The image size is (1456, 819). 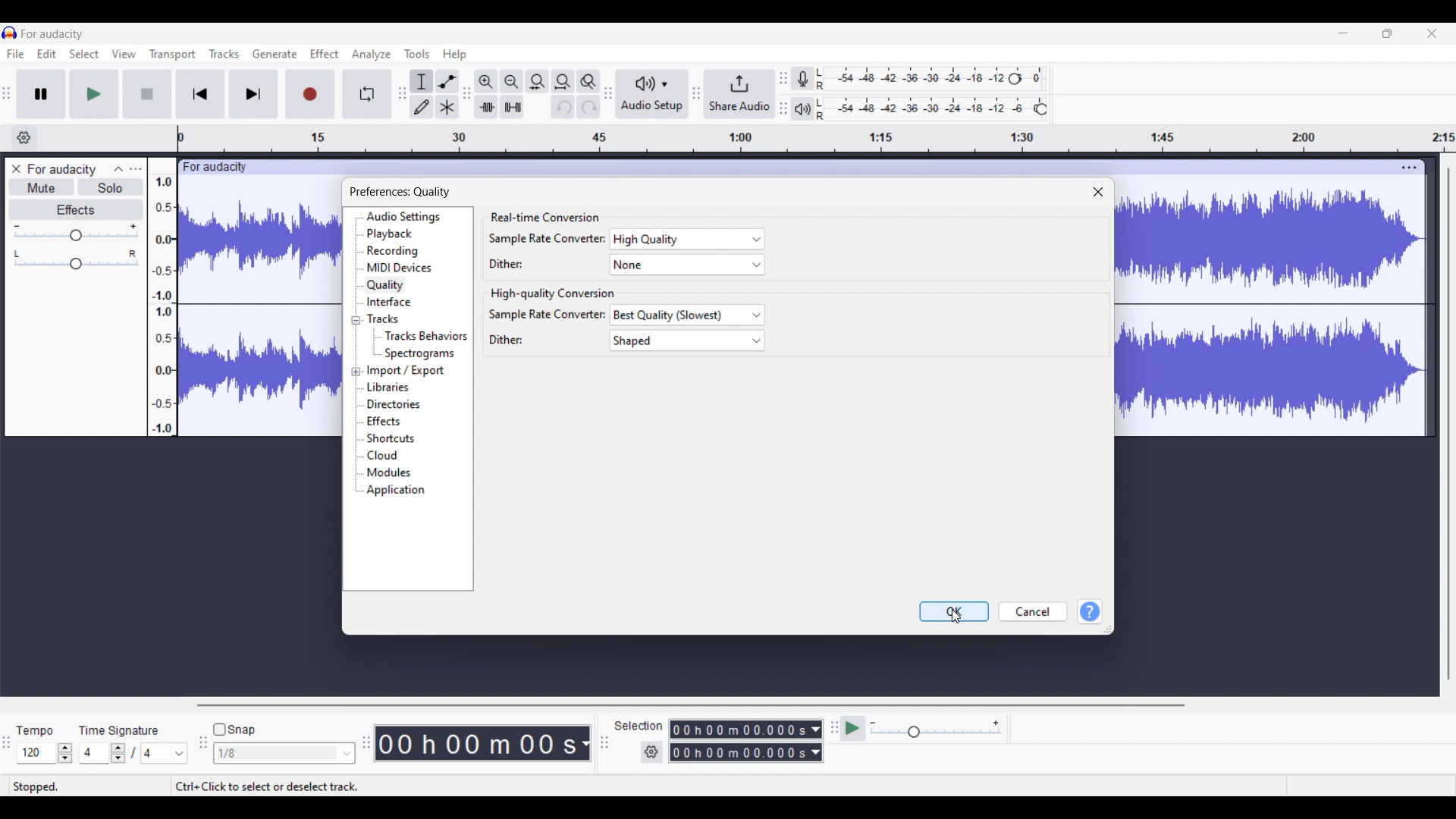 I want to click on Transport menu, so click(x=173, y=55).